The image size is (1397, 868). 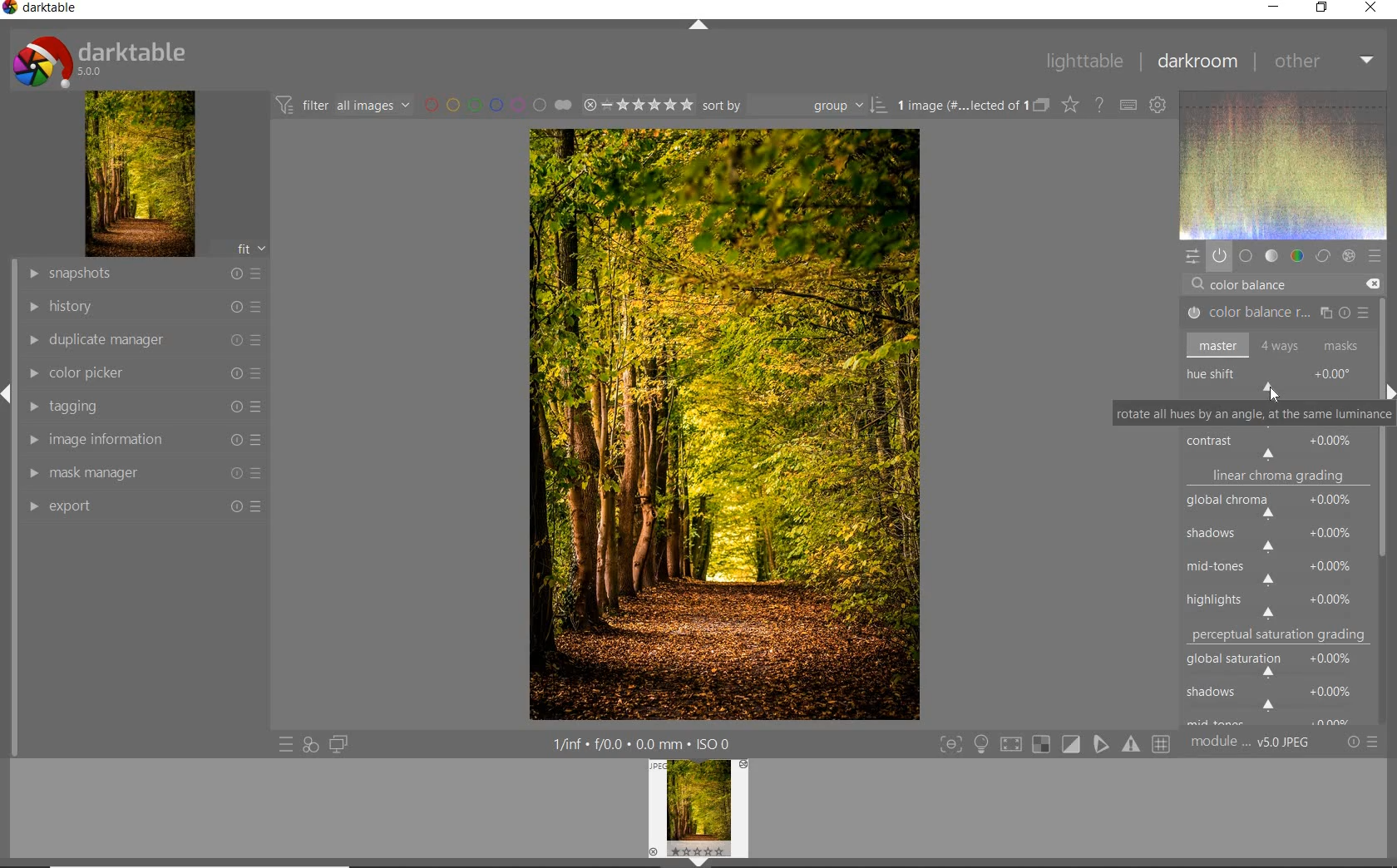 What do you see at coordinates (146, 506) in the screenshot?
I see `export` at bounding box center [146, 506].